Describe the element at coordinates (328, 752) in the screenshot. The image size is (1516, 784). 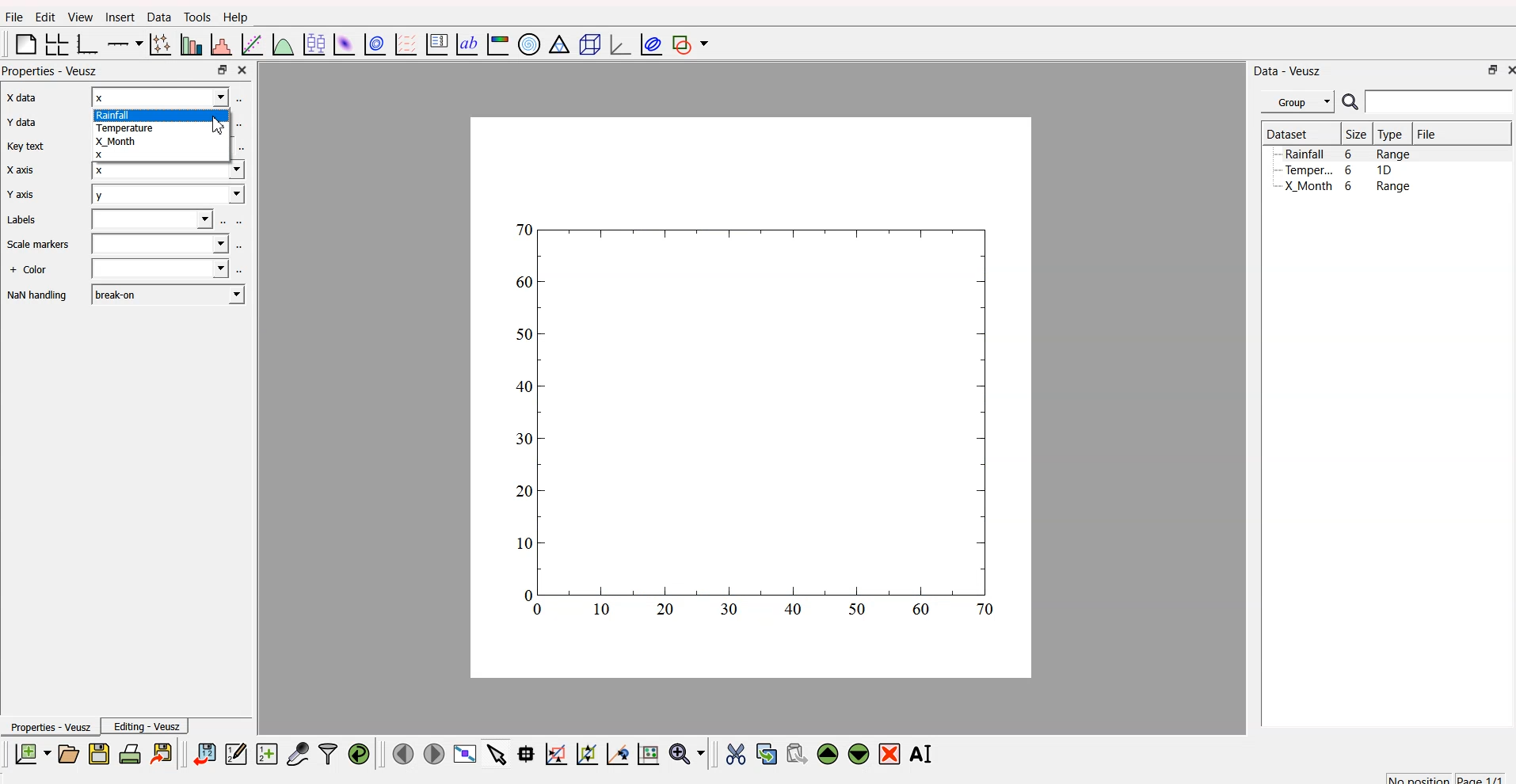
I see `filter data` at that location.